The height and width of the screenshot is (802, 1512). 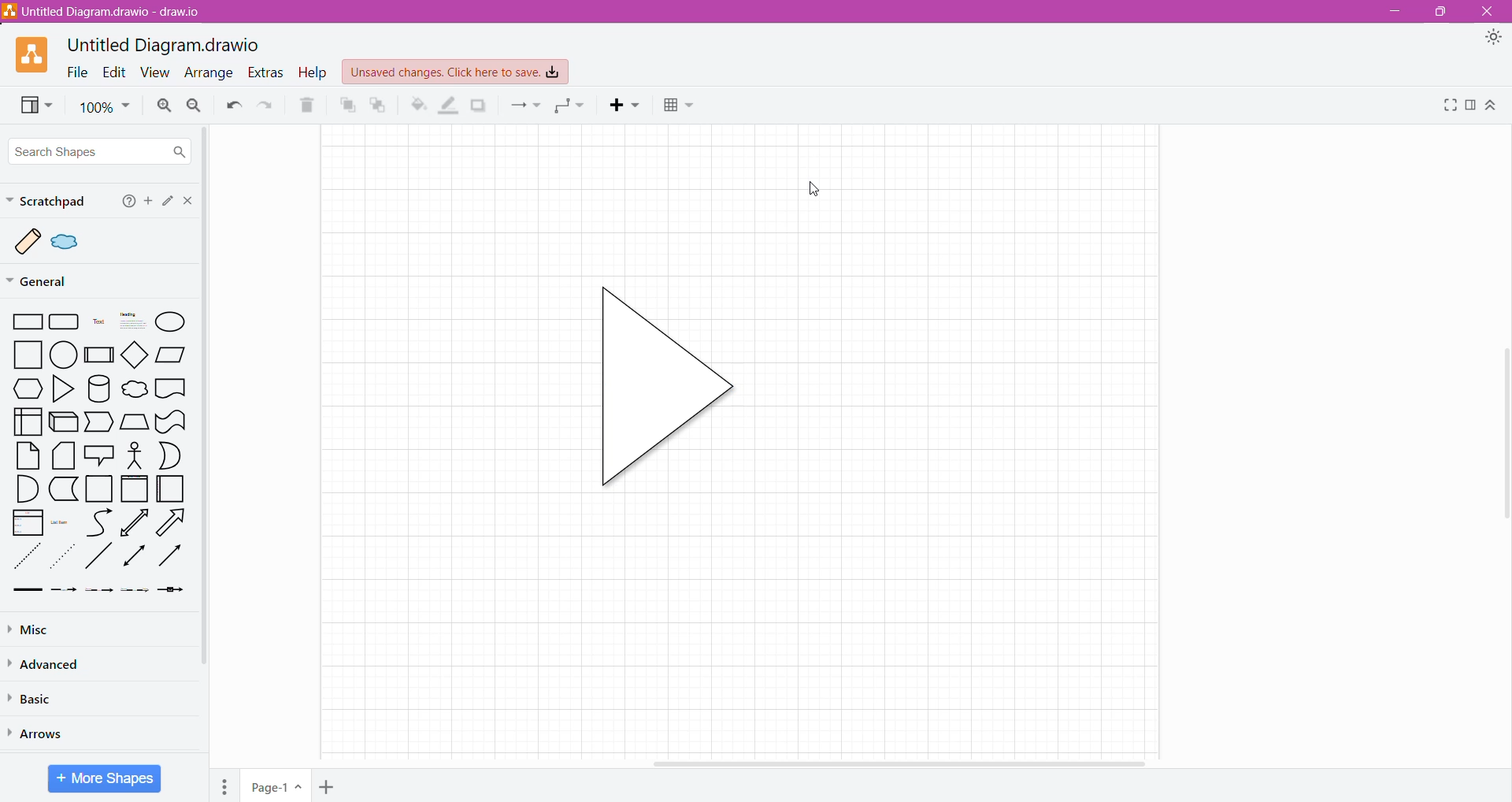 What do you see at coordinates (527, 104) in the screenshot?
I see `Connection` at bounding box center [527, 104].